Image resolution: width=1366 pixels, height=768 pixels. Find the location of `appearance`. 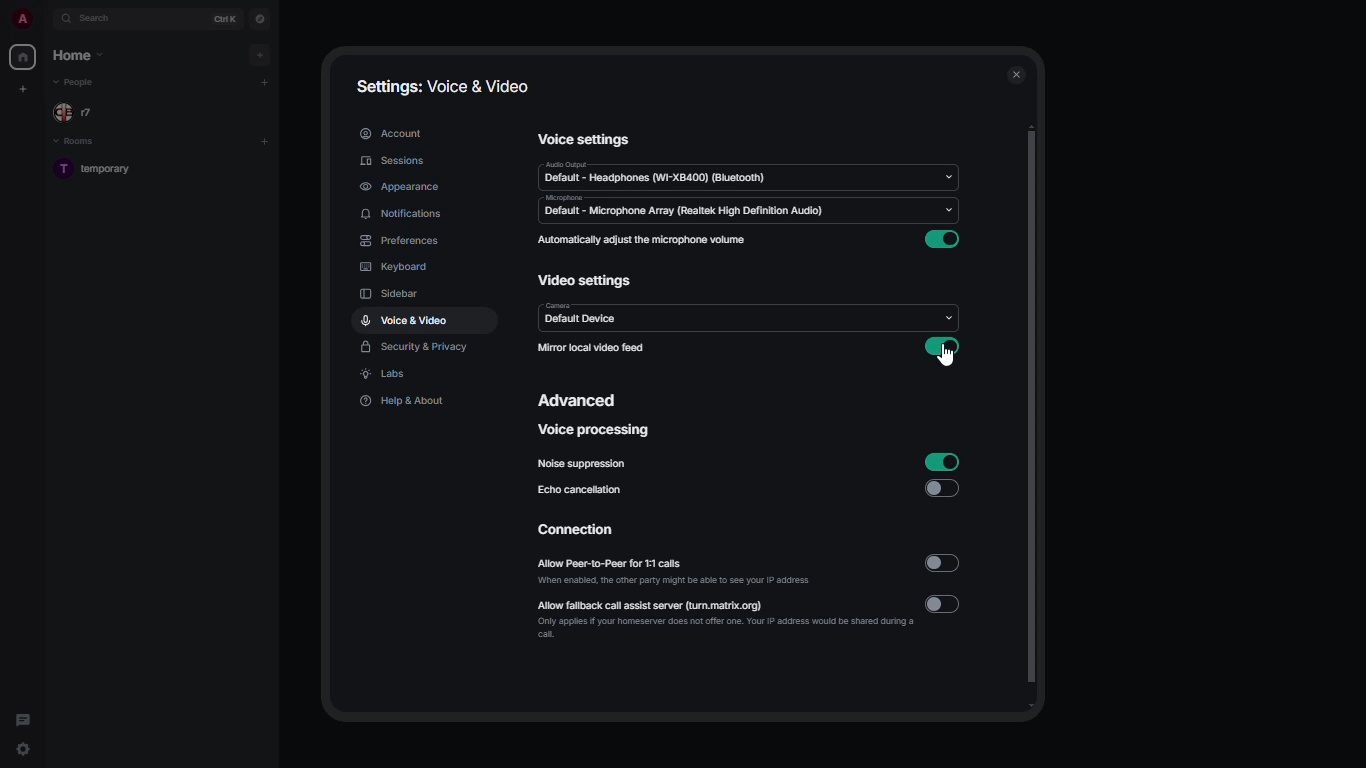

appearance is located at coordinates (401, 188).